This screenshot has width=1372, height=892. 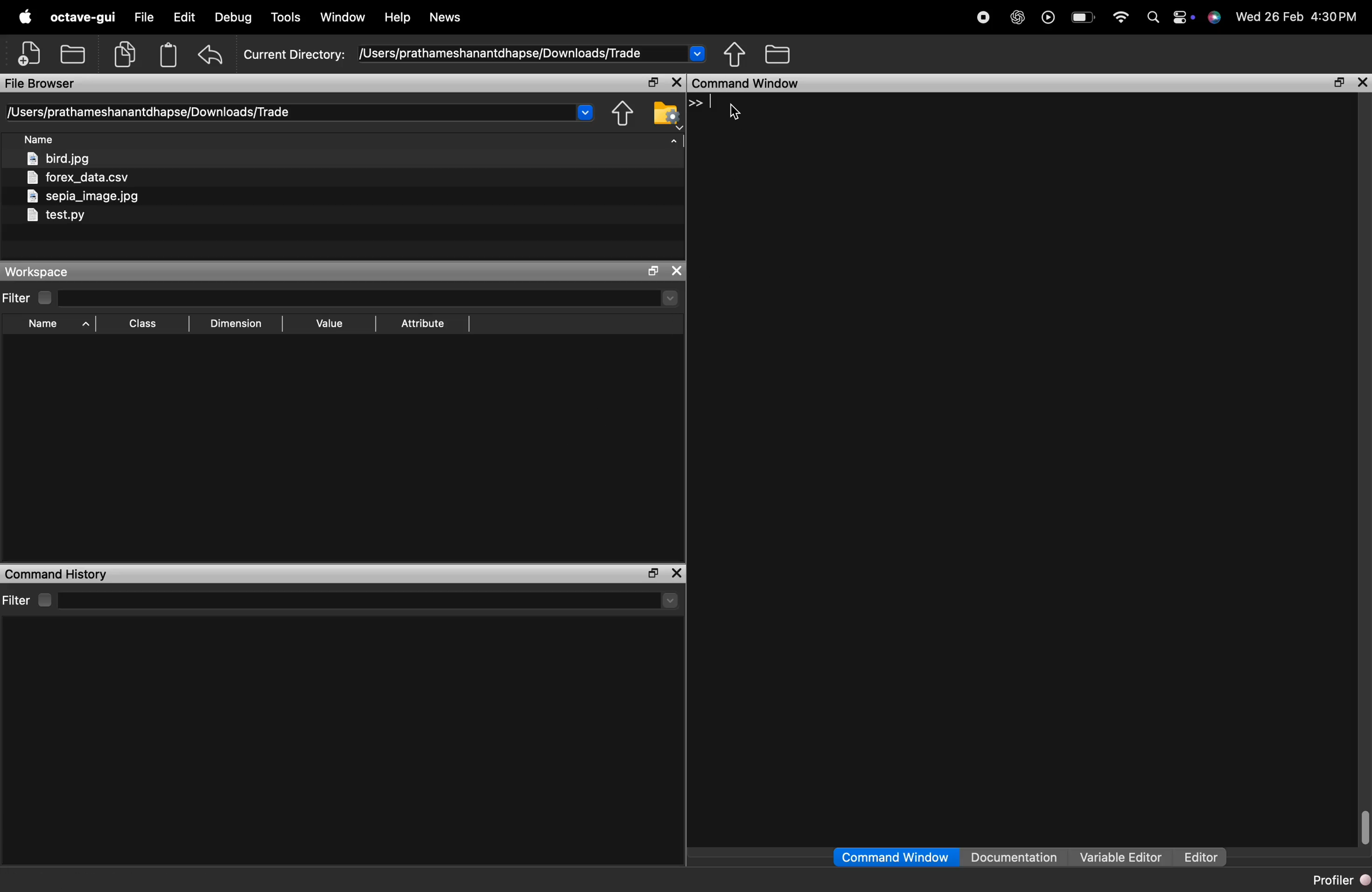 What do you see at coordinates (236, 324) in the screenshot?
I see `Dimension` at bounding box center [236, 324].